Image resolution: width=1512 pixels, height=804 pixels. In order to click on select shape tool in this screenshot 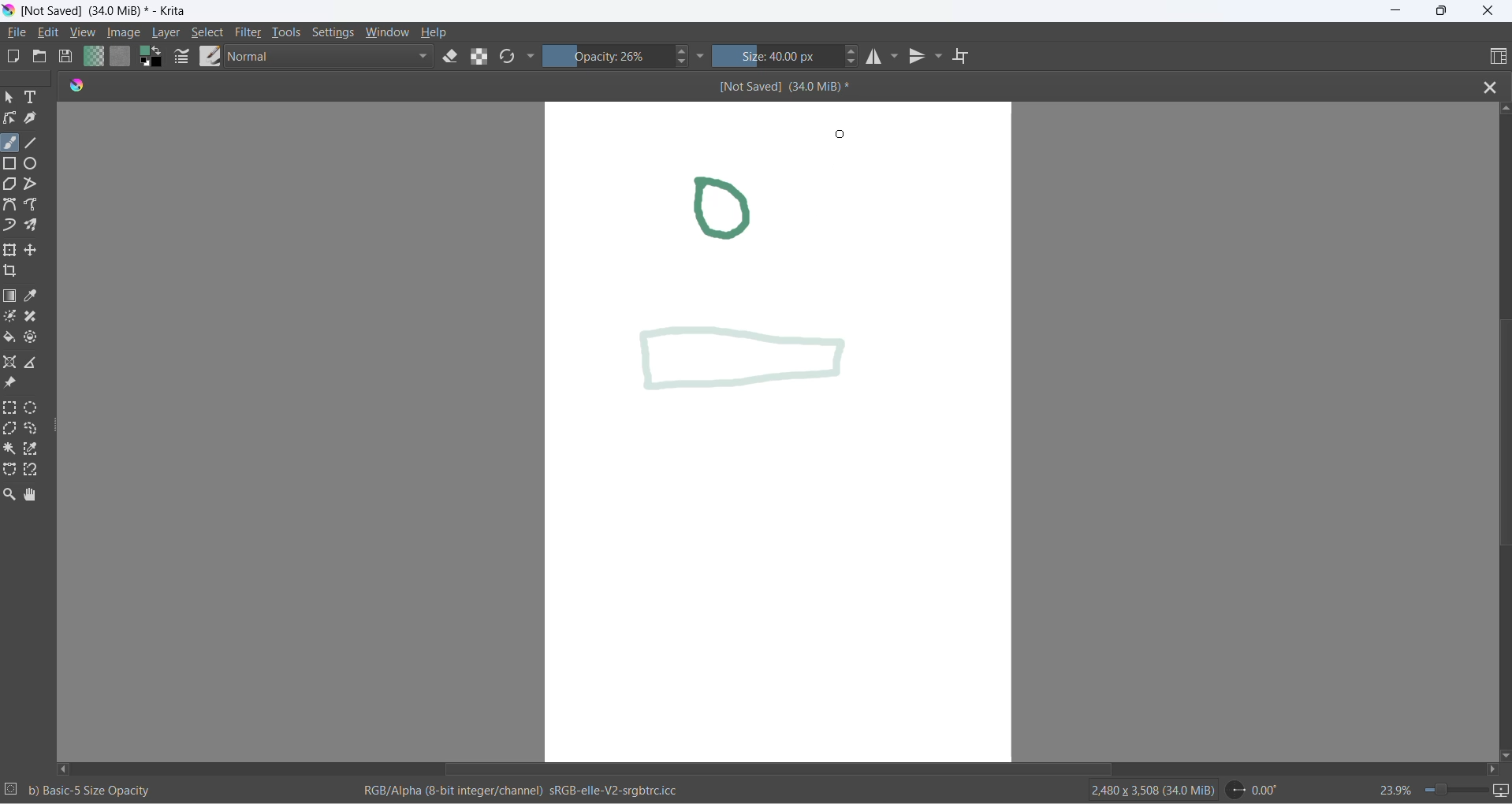, I will do `click(12, 99)`.